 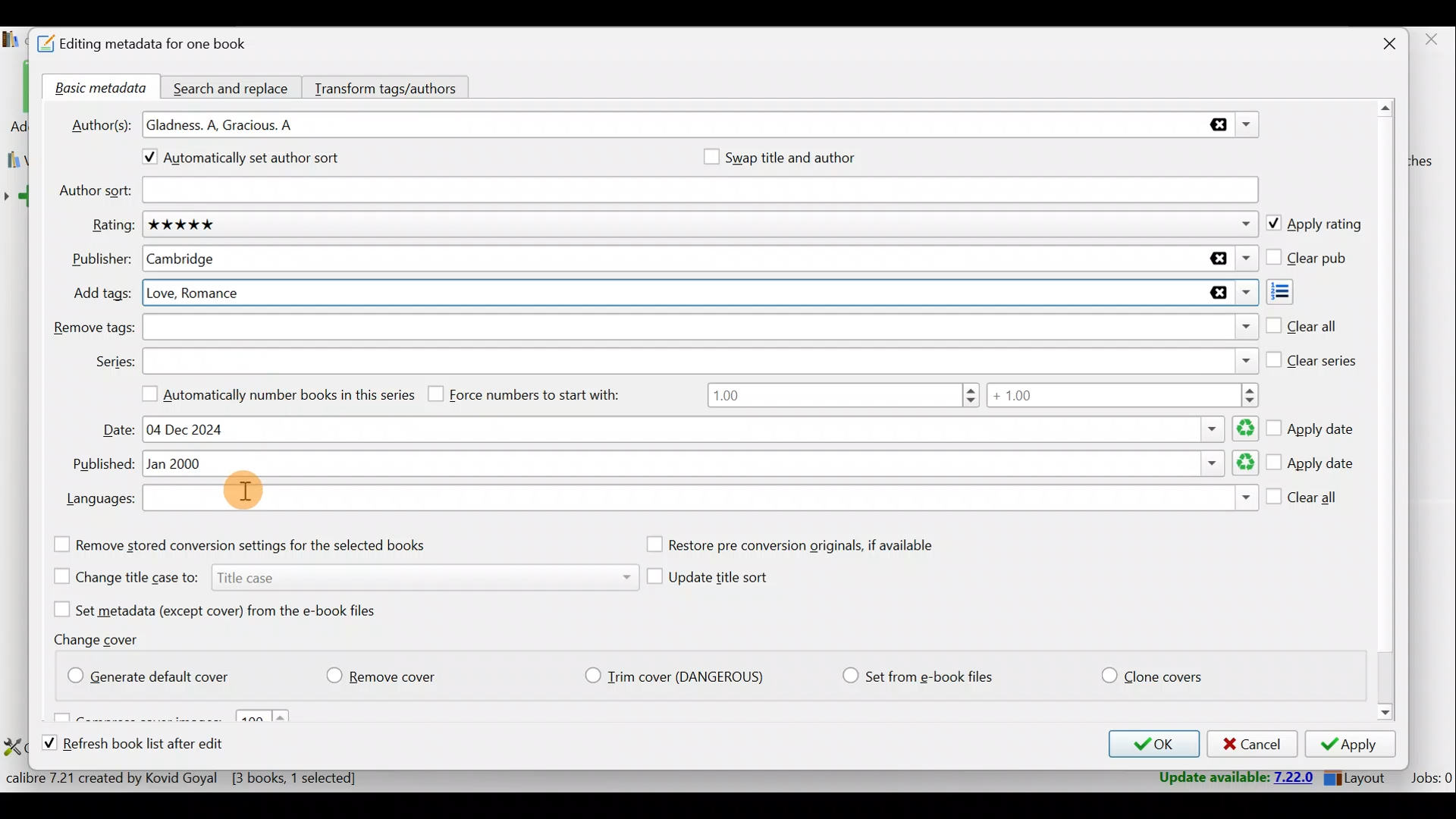 What do you see at coordinates (260, 544) in the screenshot?
I see `Remove stored conversion settings for the selected books` at bounding box center [260, 544].